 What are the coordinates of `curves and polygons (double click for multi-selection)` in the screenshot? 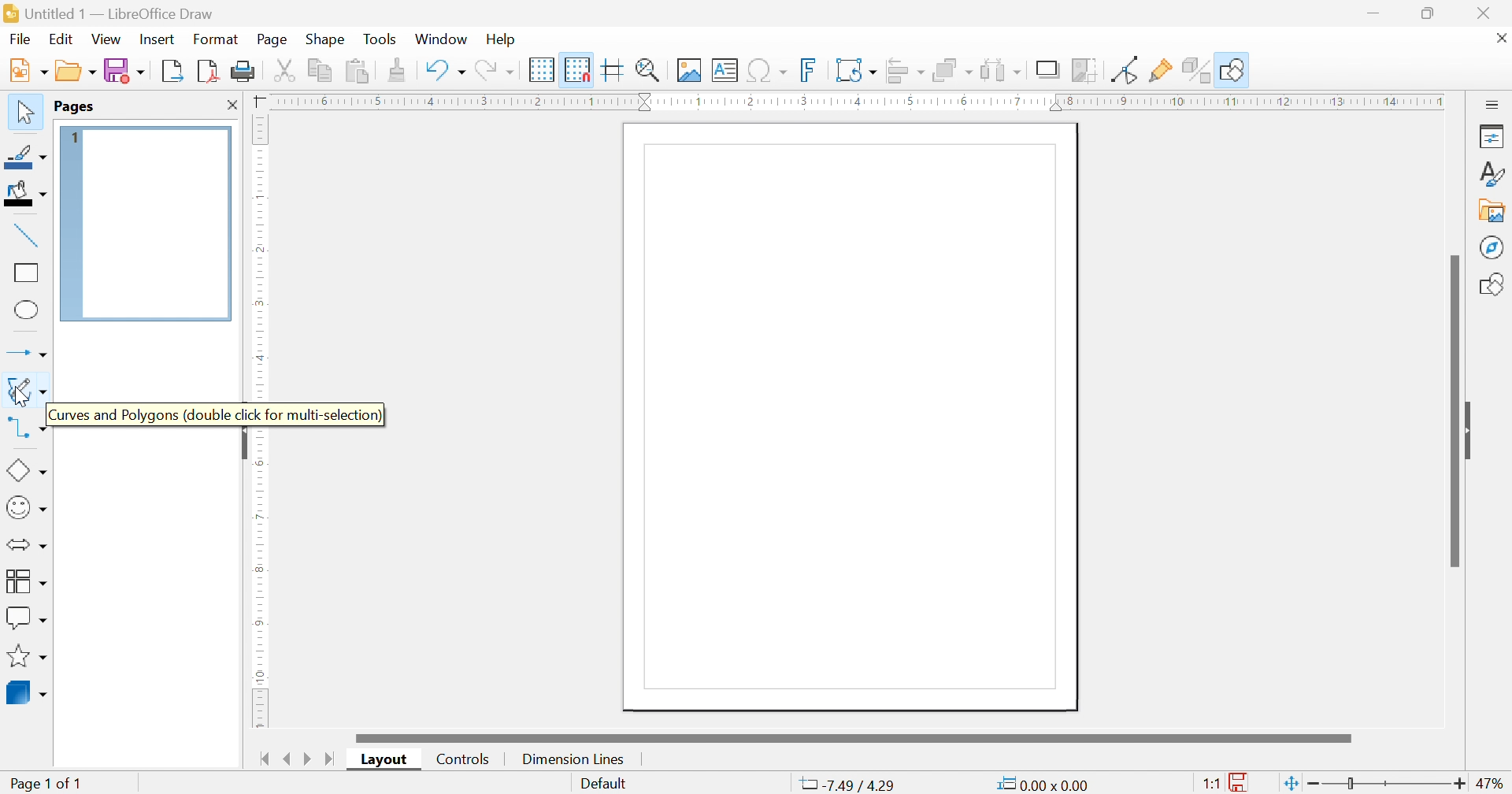 It's located at (28, 392).